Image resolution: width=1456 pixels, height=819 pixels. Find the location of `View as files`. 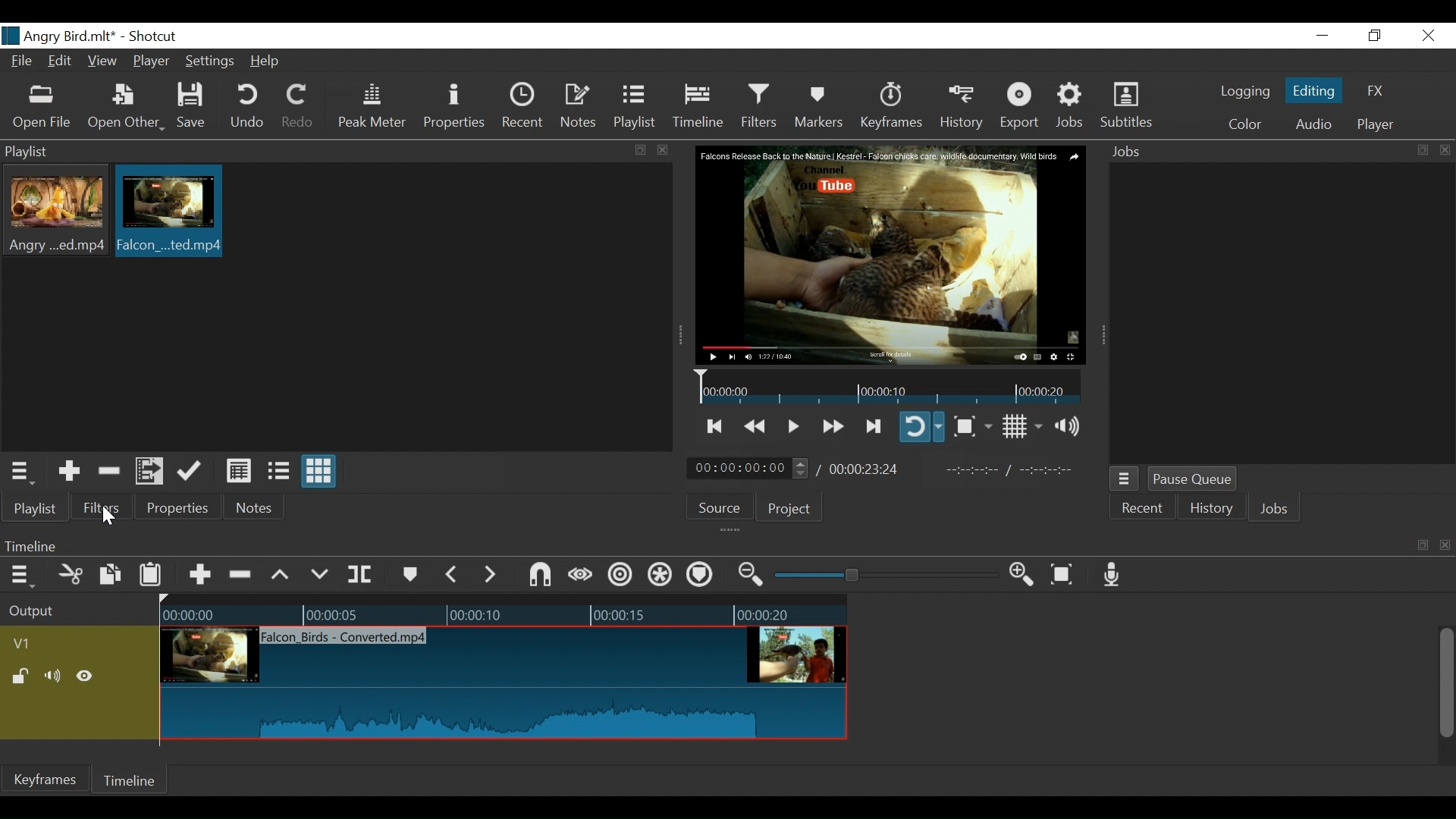

View as files is located at coordinates (278, 472).